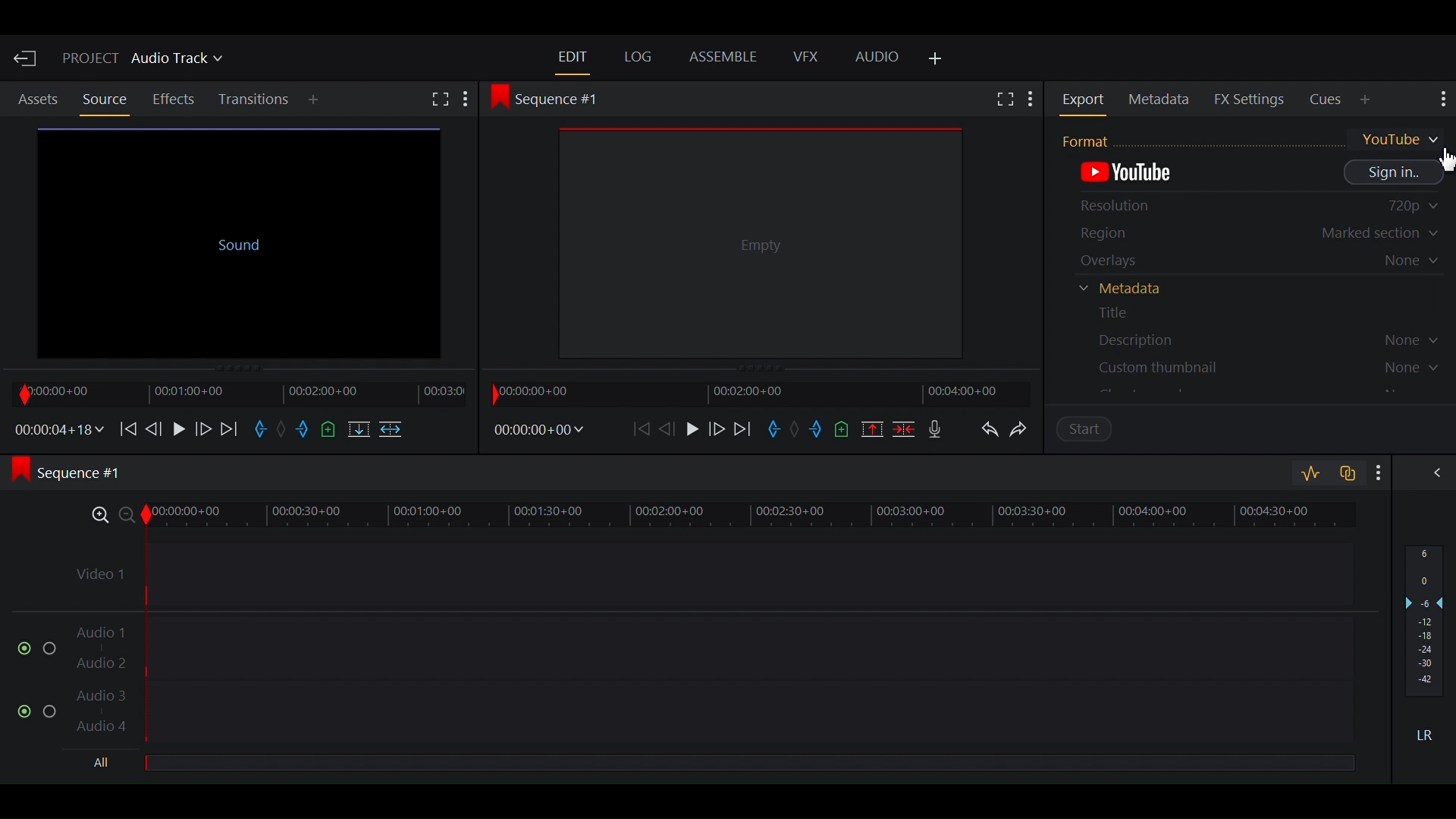 This screenshot has height=819, width=1456. I want to click on Nudge one frame forward, so click(202, 428).